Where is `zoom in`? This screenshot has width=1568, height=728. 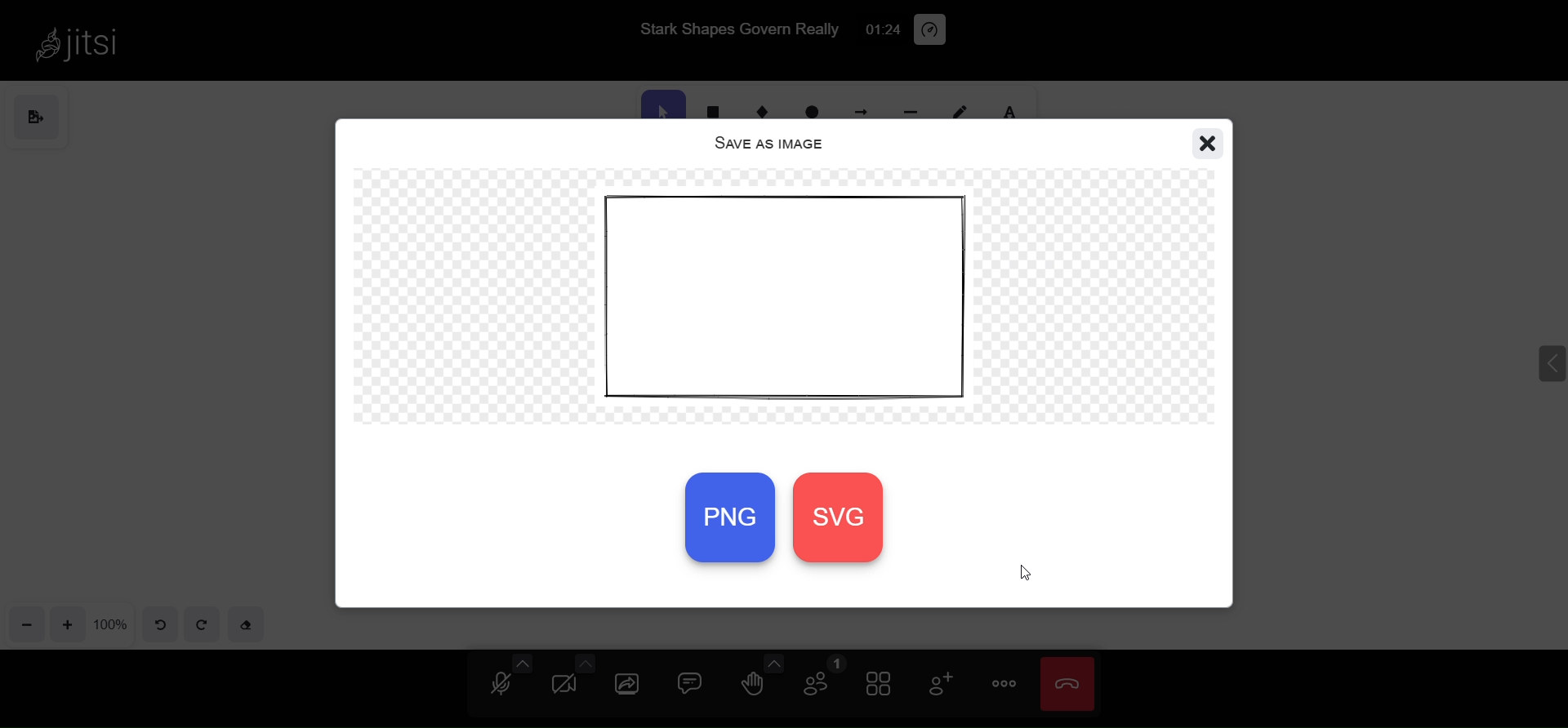
zoom in is located at coordinates (67, 624).